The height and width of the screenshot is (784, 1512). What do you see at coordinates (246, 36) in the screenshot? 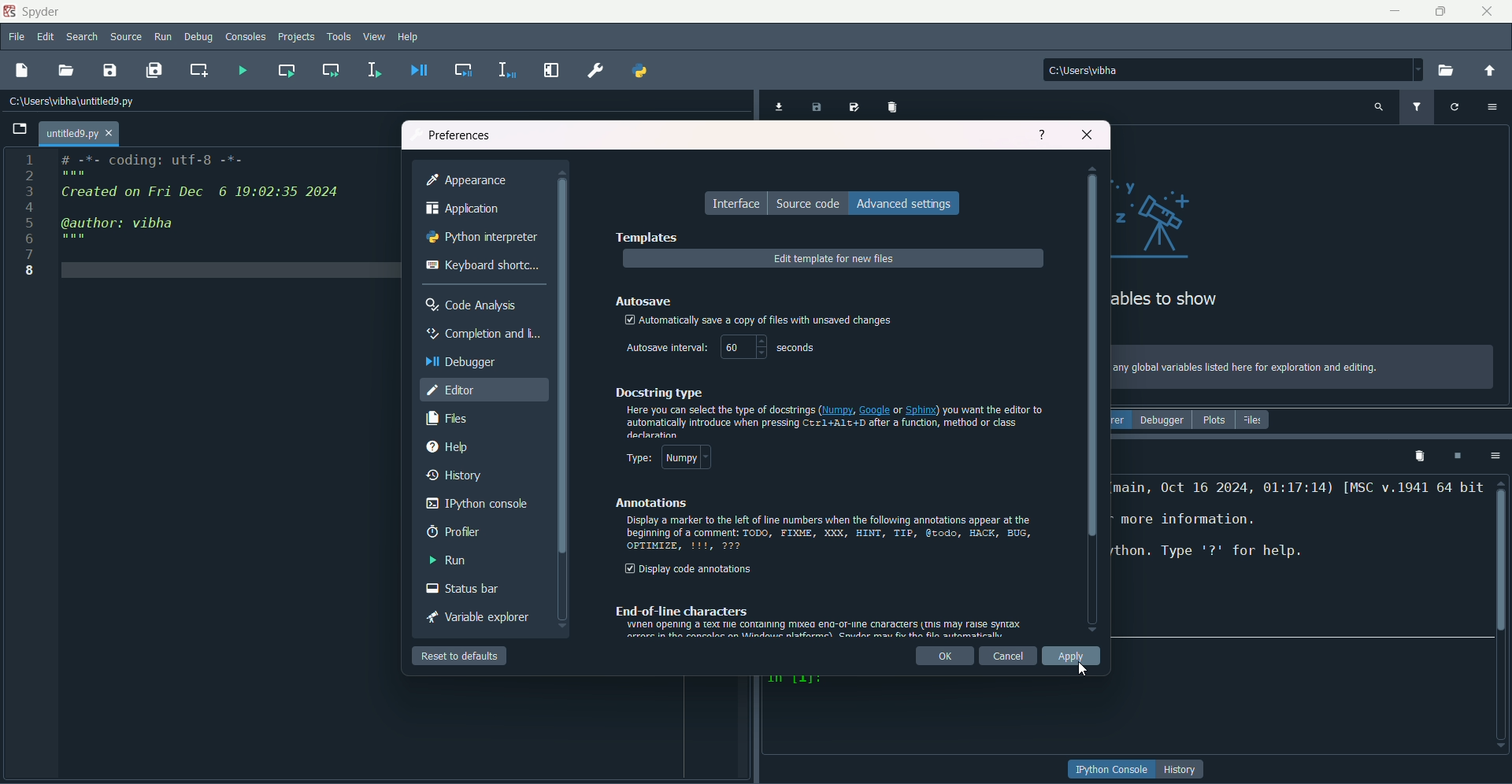
I see `consoles` at bounding box center [246, 36].